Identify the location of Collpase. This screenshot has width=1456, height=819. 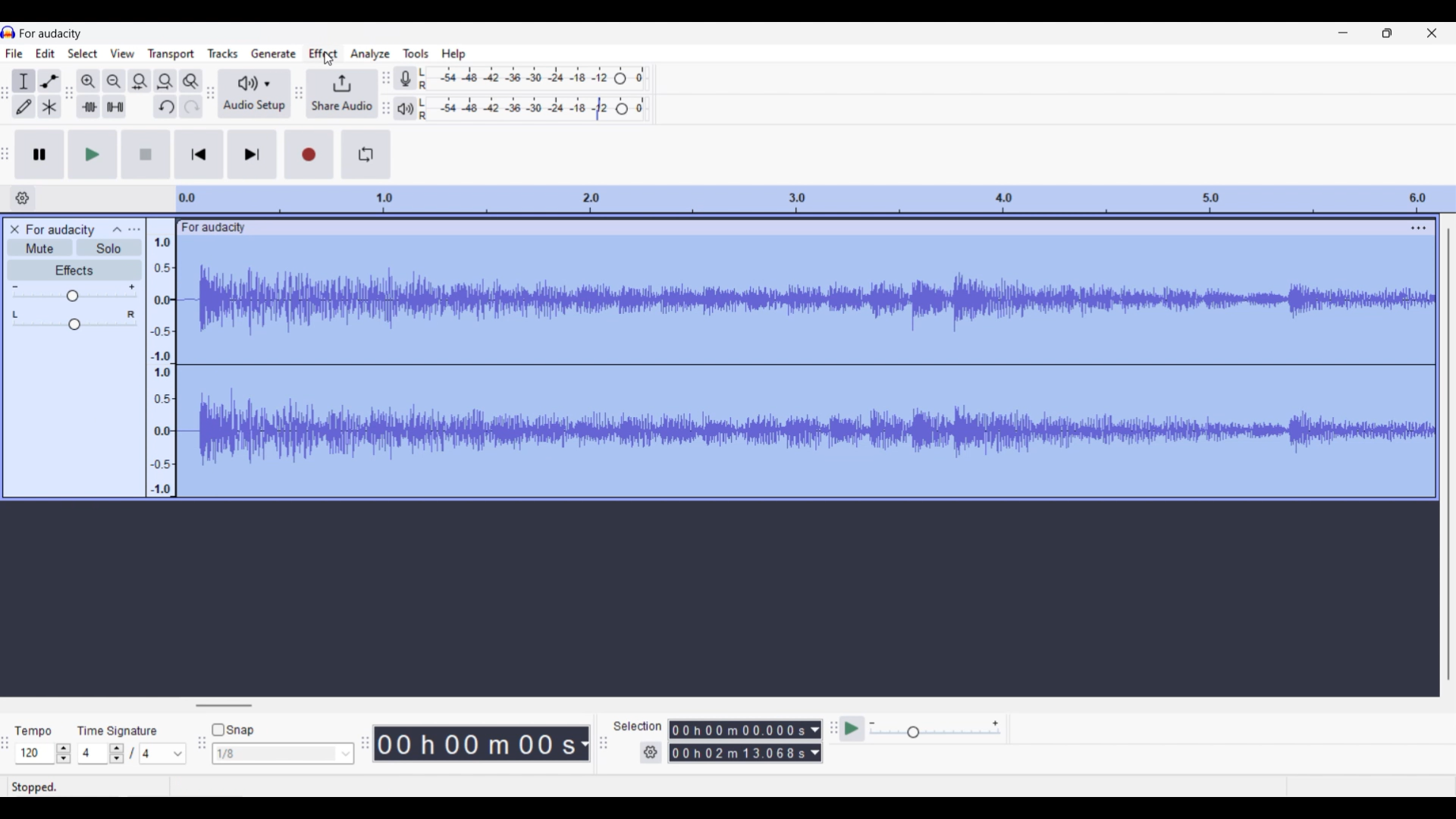
(118, 229).